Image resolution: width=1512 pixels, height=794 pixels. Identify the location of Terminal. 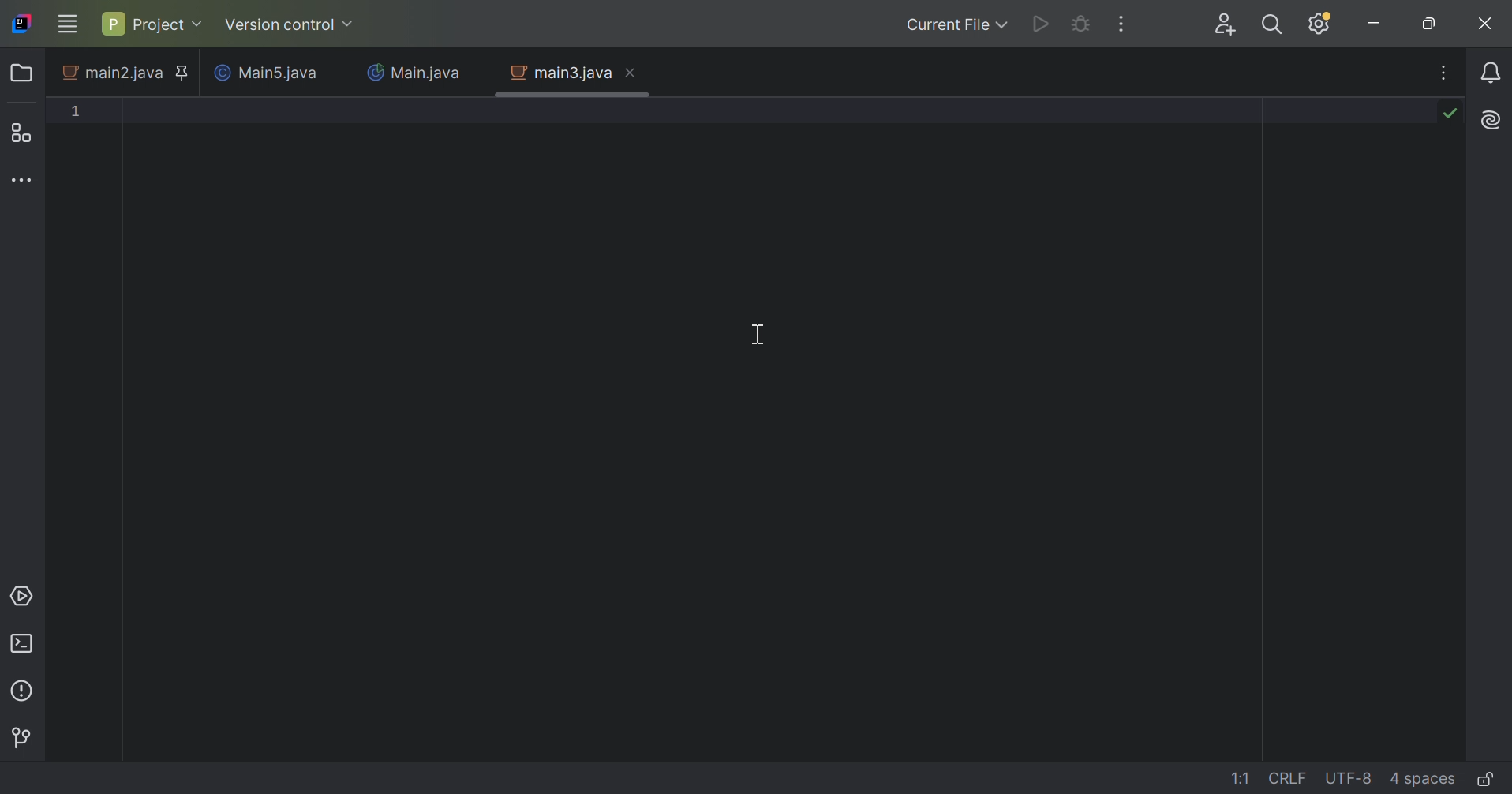
(23, 643).